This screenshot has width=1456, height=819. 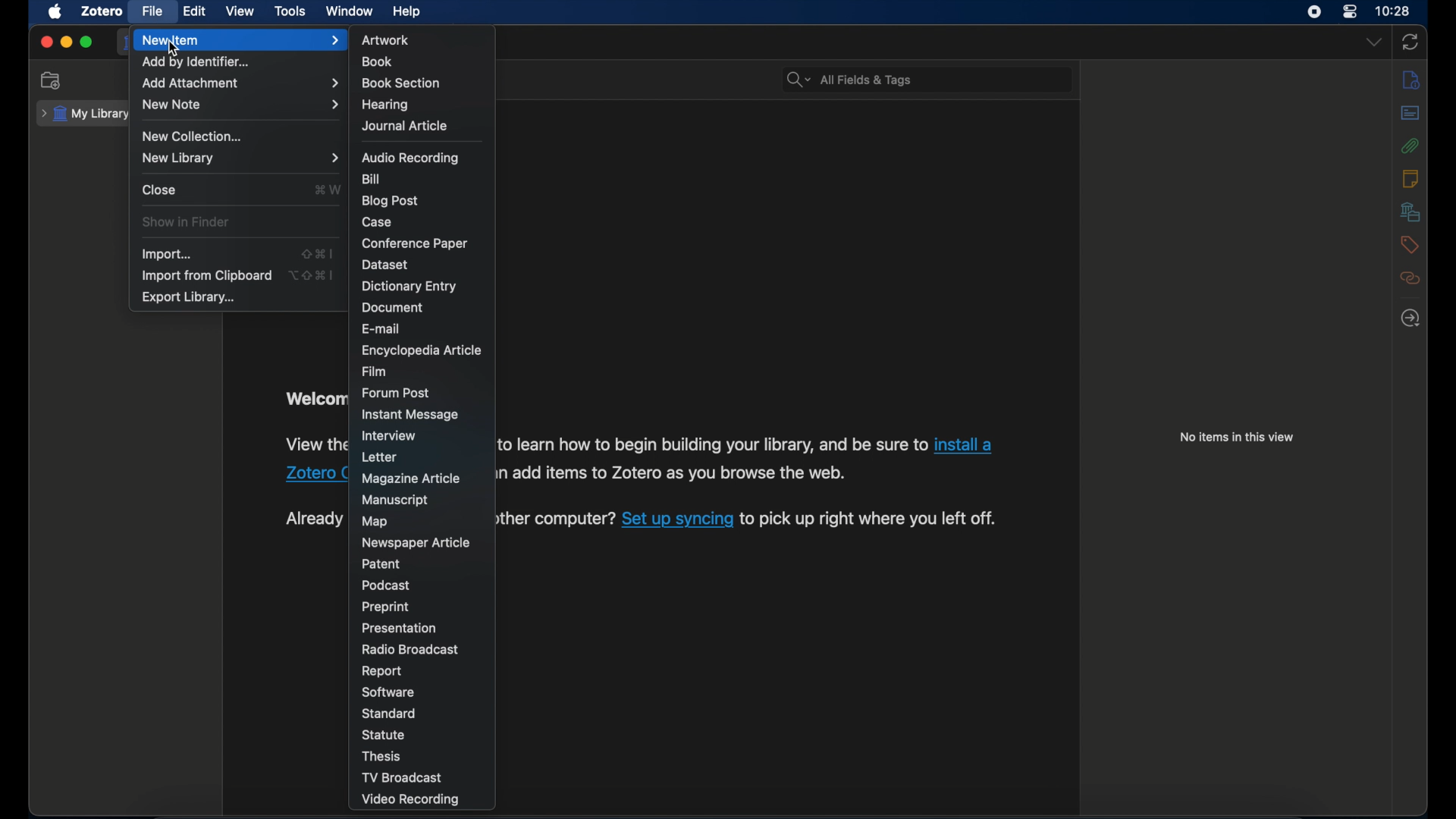 I want to click on book, so click(x=379, y=62).